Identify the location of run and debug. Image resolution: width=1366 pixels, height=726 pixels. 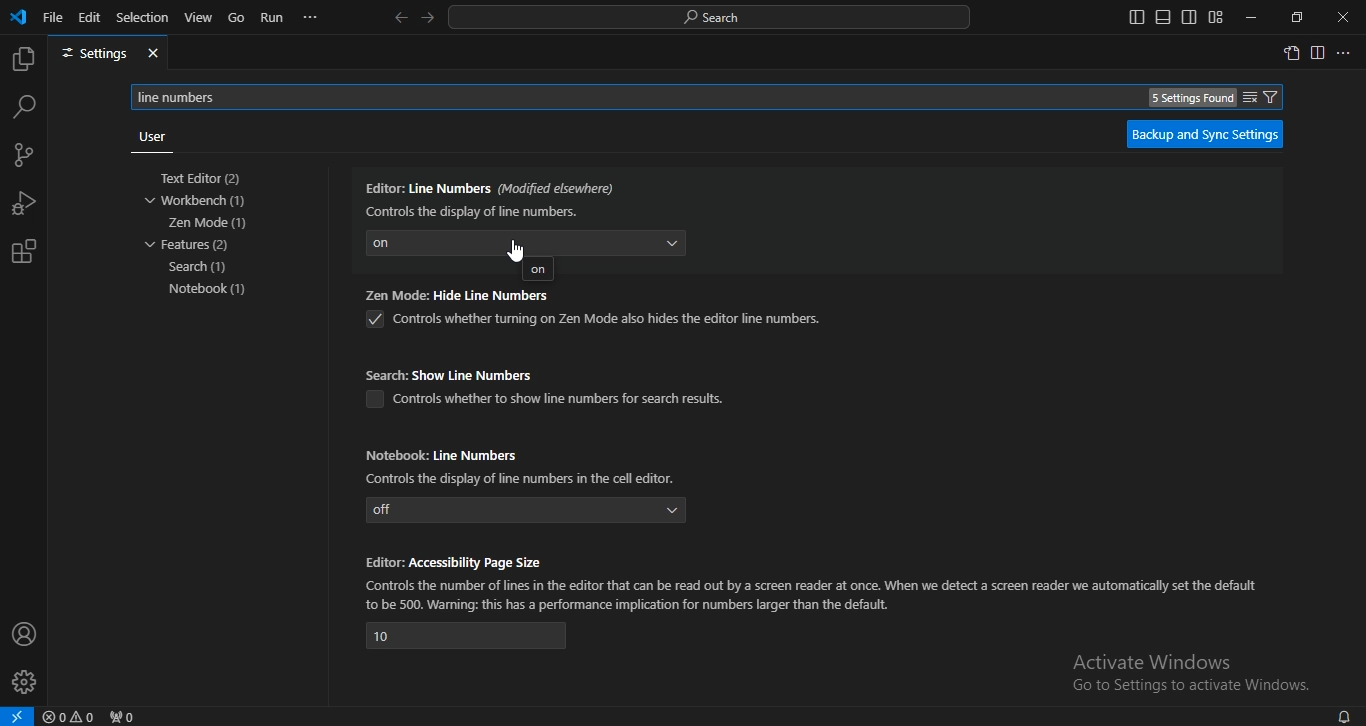
(24, 206).